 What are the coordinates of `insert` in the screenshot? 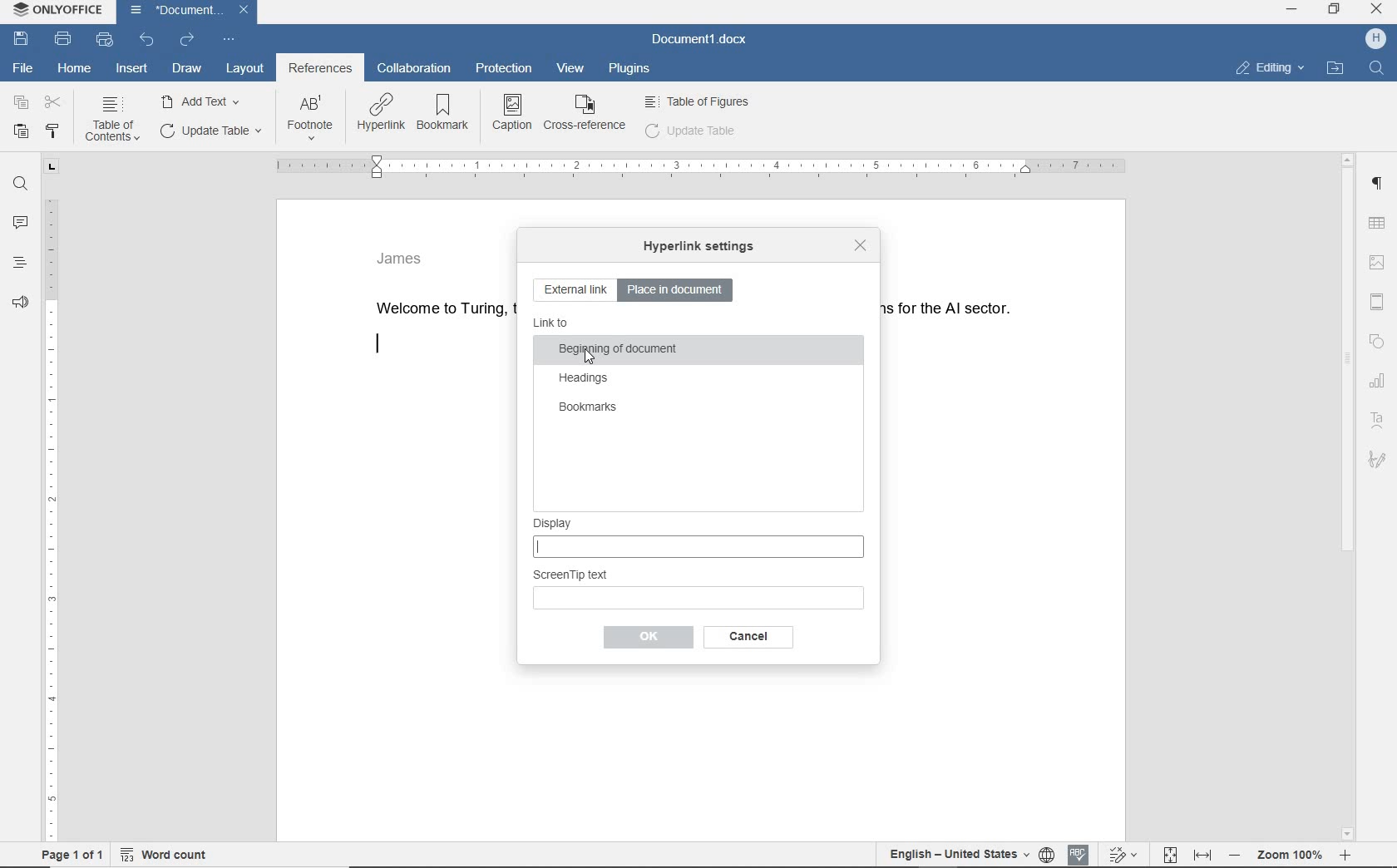 It's located at (132, 70).